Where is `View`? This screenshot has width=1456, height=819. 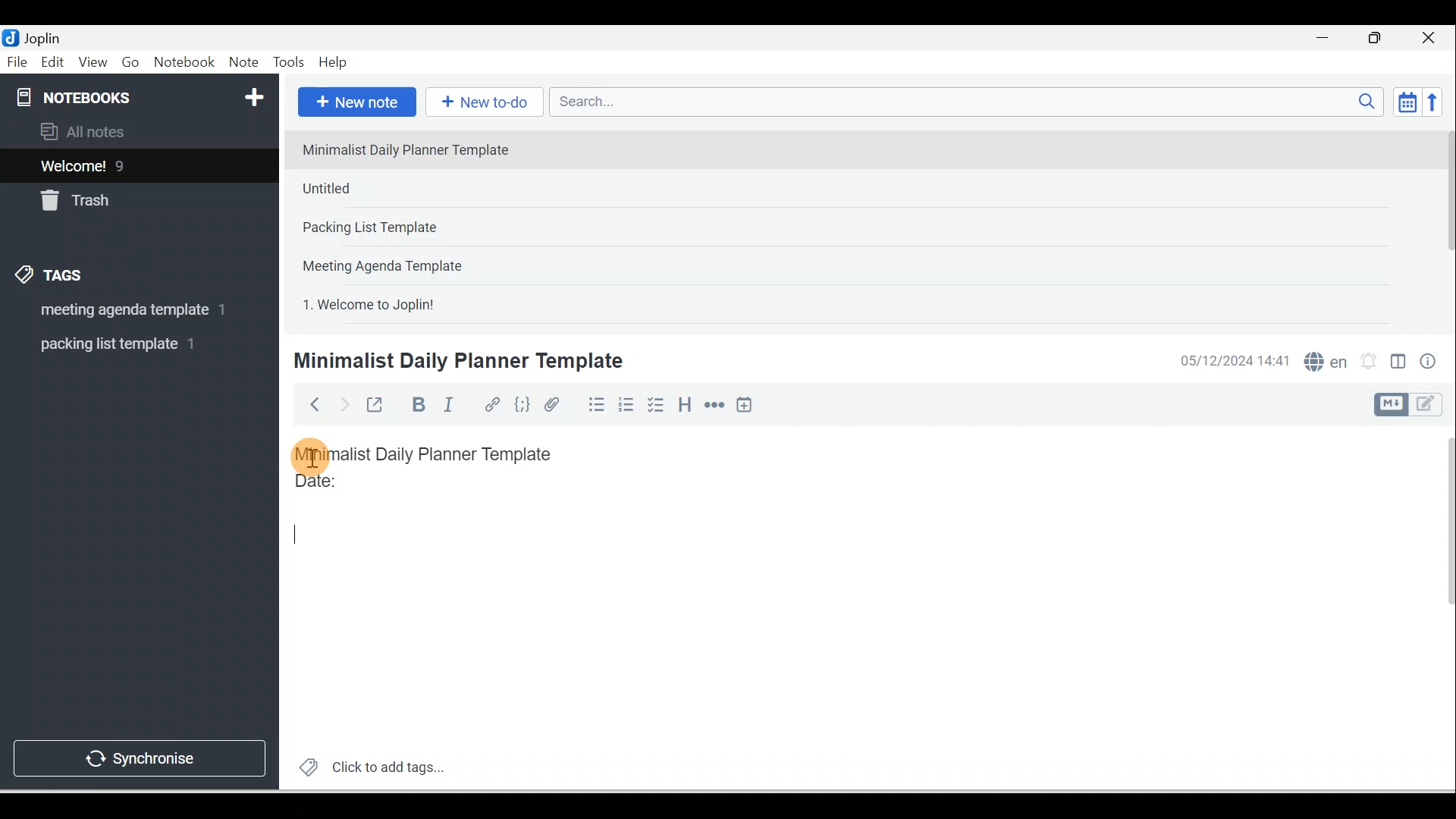 View is located at coordinates (93, 63).